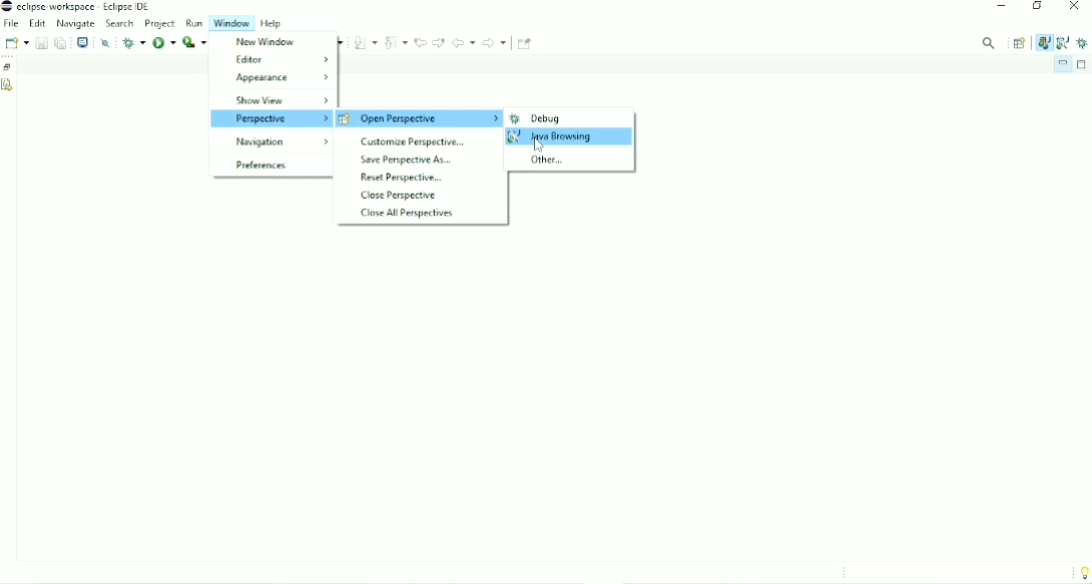 The width and height of the screenshot is (1092, 584). I want to click on Preferences, so click(261, 166).